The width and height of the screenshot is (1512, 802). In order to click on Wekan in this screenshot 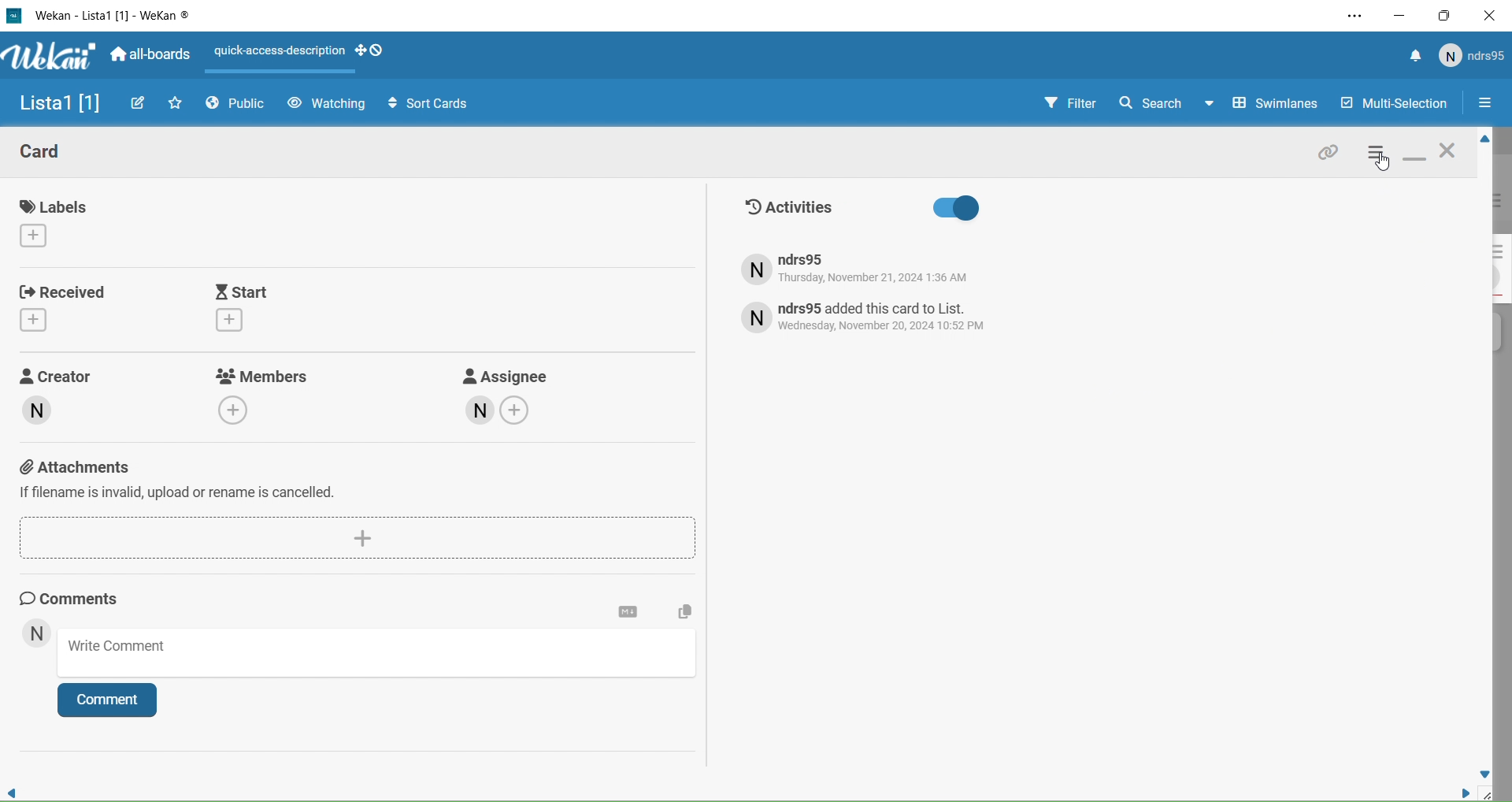, I will do `click(109, 15)`.